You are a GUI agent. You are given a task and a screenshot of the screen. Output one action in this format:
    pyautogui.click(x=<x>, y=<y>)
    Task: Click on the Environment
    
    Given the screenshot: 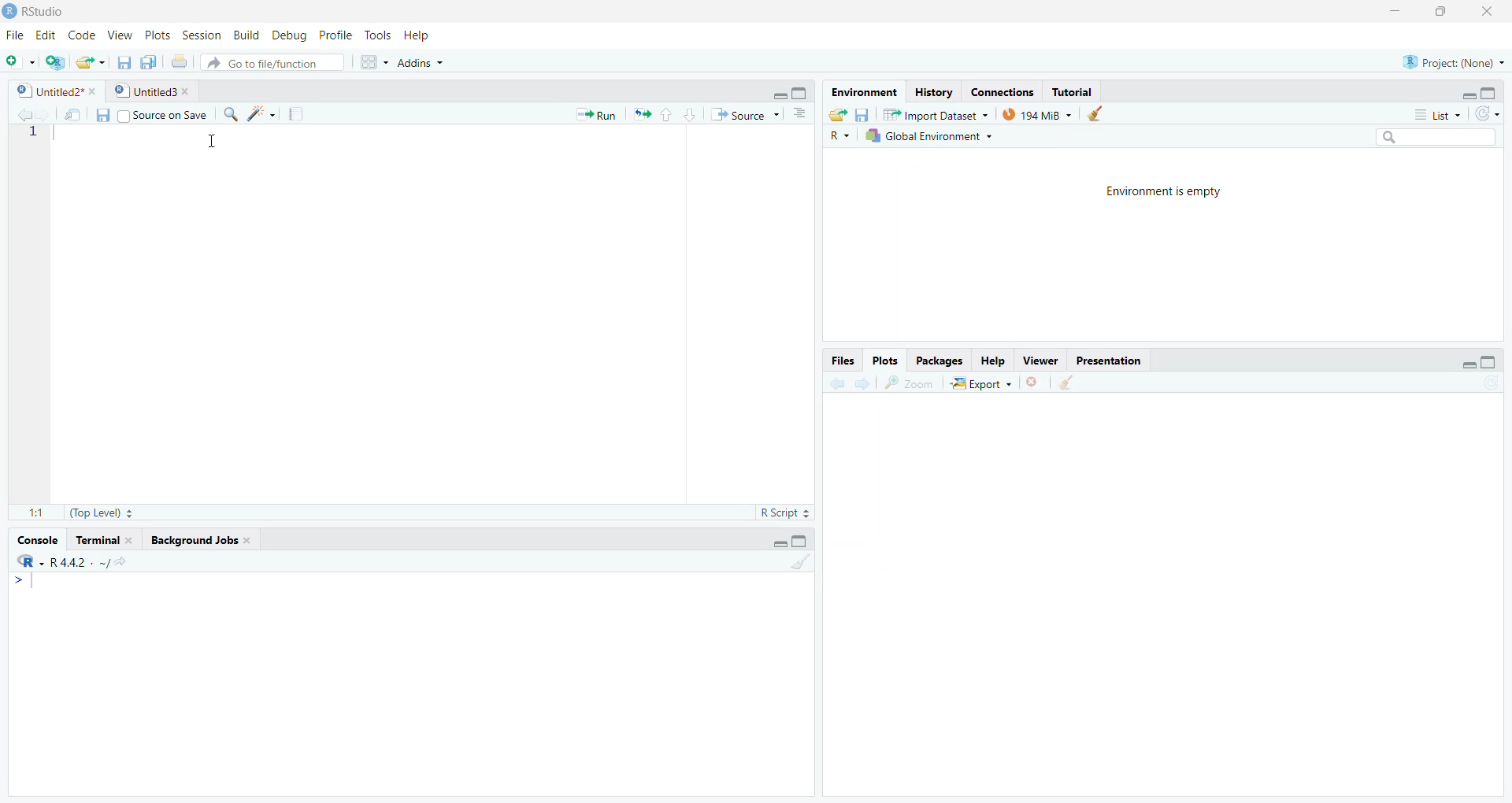 What is the action you would take?
    pyautogui.click(x=862, y=91)
    